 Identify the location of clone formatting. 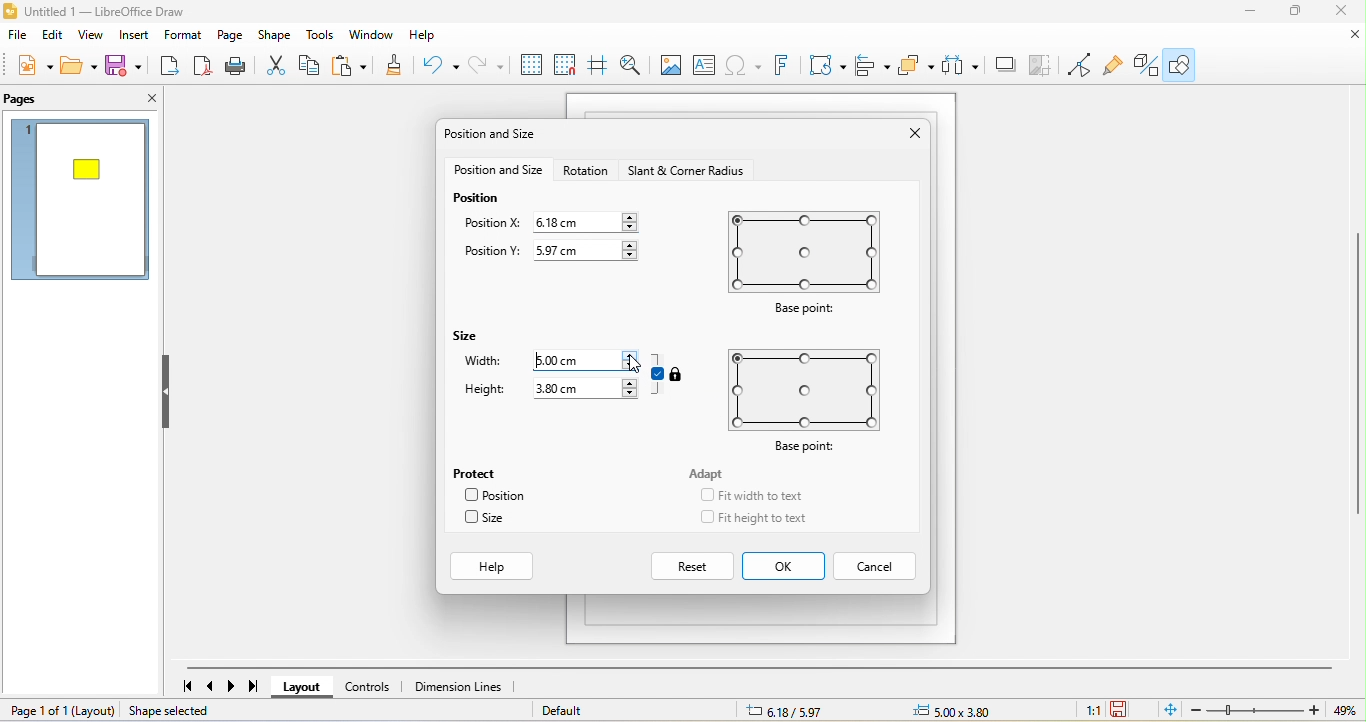
(393, 68).